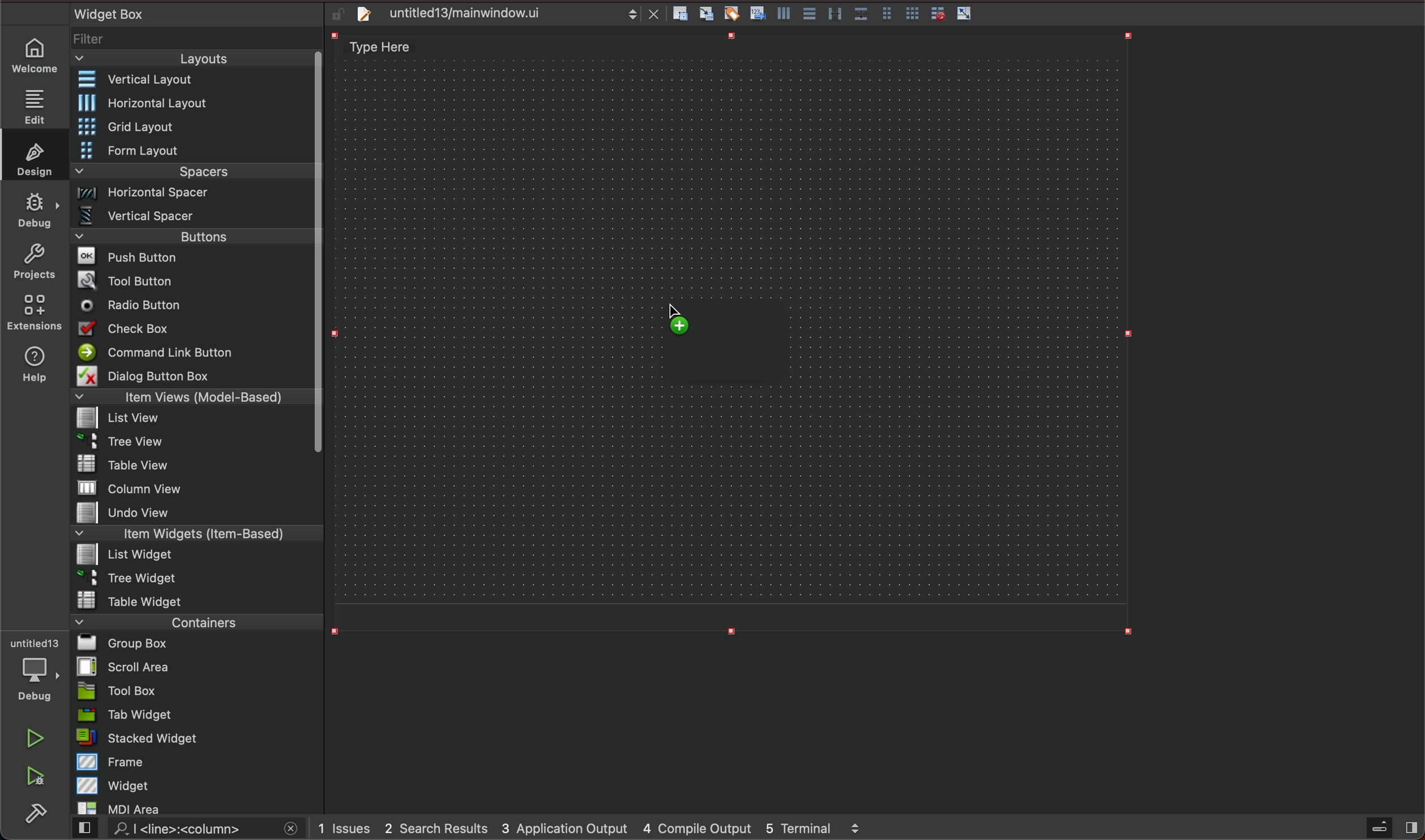 This screenshot has width=1425, height=840. What do you see at coordinates (938, 14) in the screenshot?
I see `` at bounding box center [938, 14].